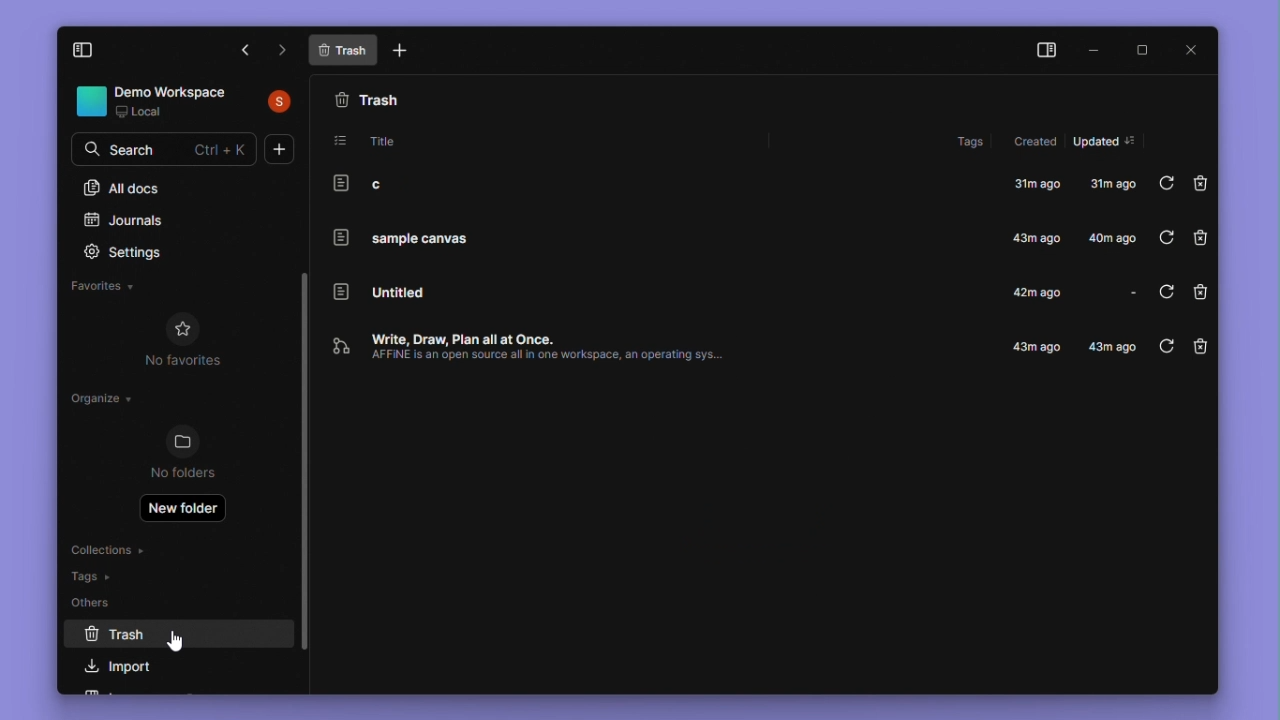 The width and height of the screenshot is (1280, 720). I want to click on Demo Workplace, so click(186, 102).